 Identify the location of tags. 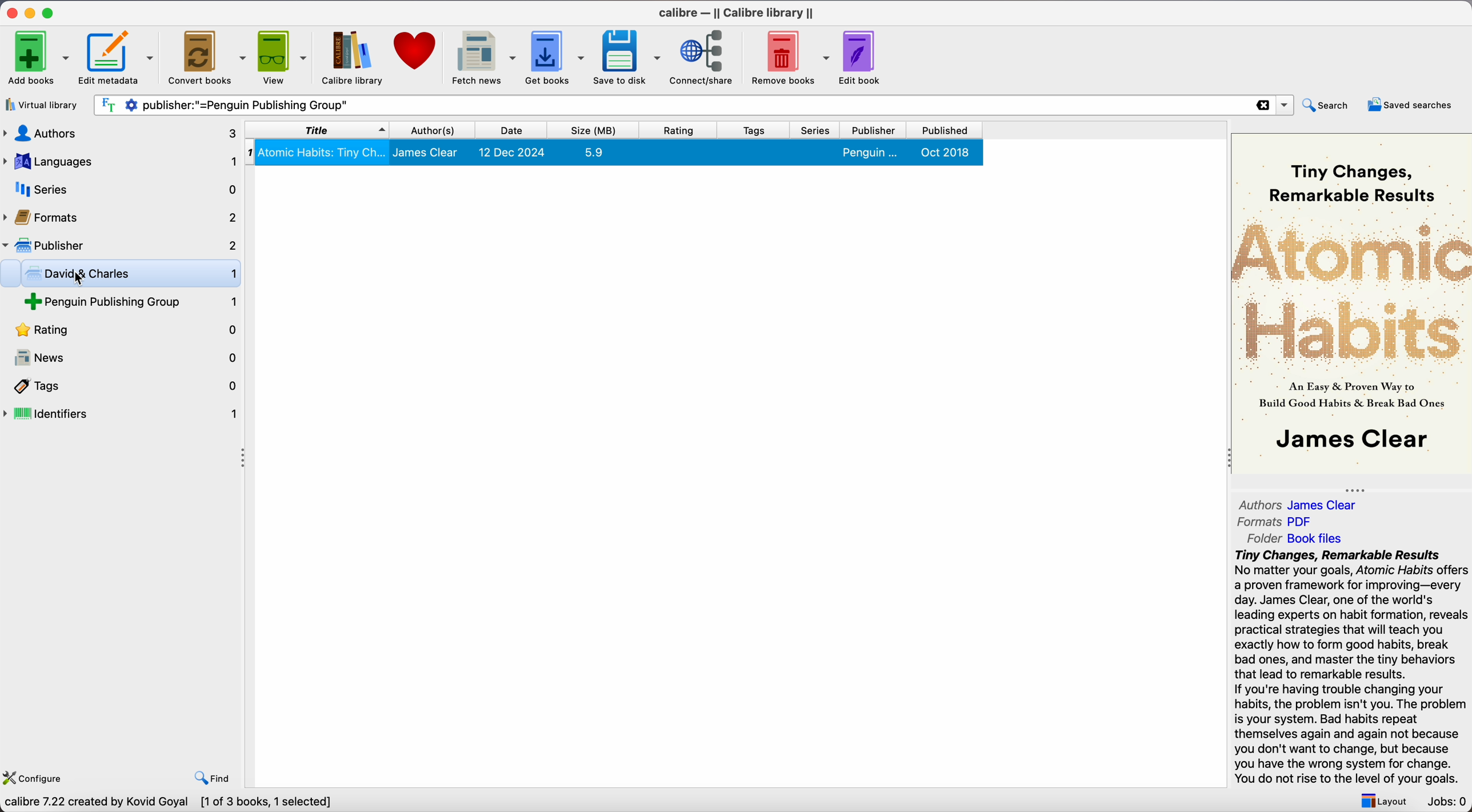
(122, 386).